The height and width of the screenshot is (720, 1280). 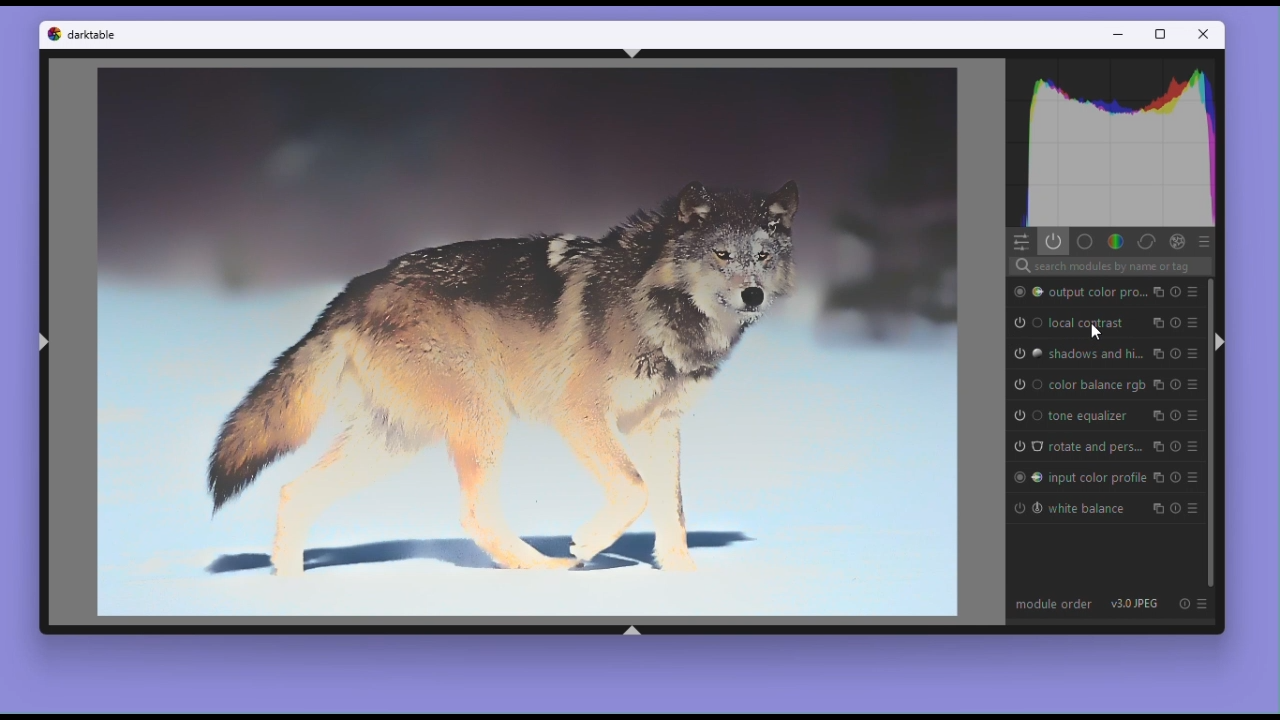 What do you see at coordinates (1087, 513) in the screenshot?
I see `White balance` at bounding box center [1087, 513].